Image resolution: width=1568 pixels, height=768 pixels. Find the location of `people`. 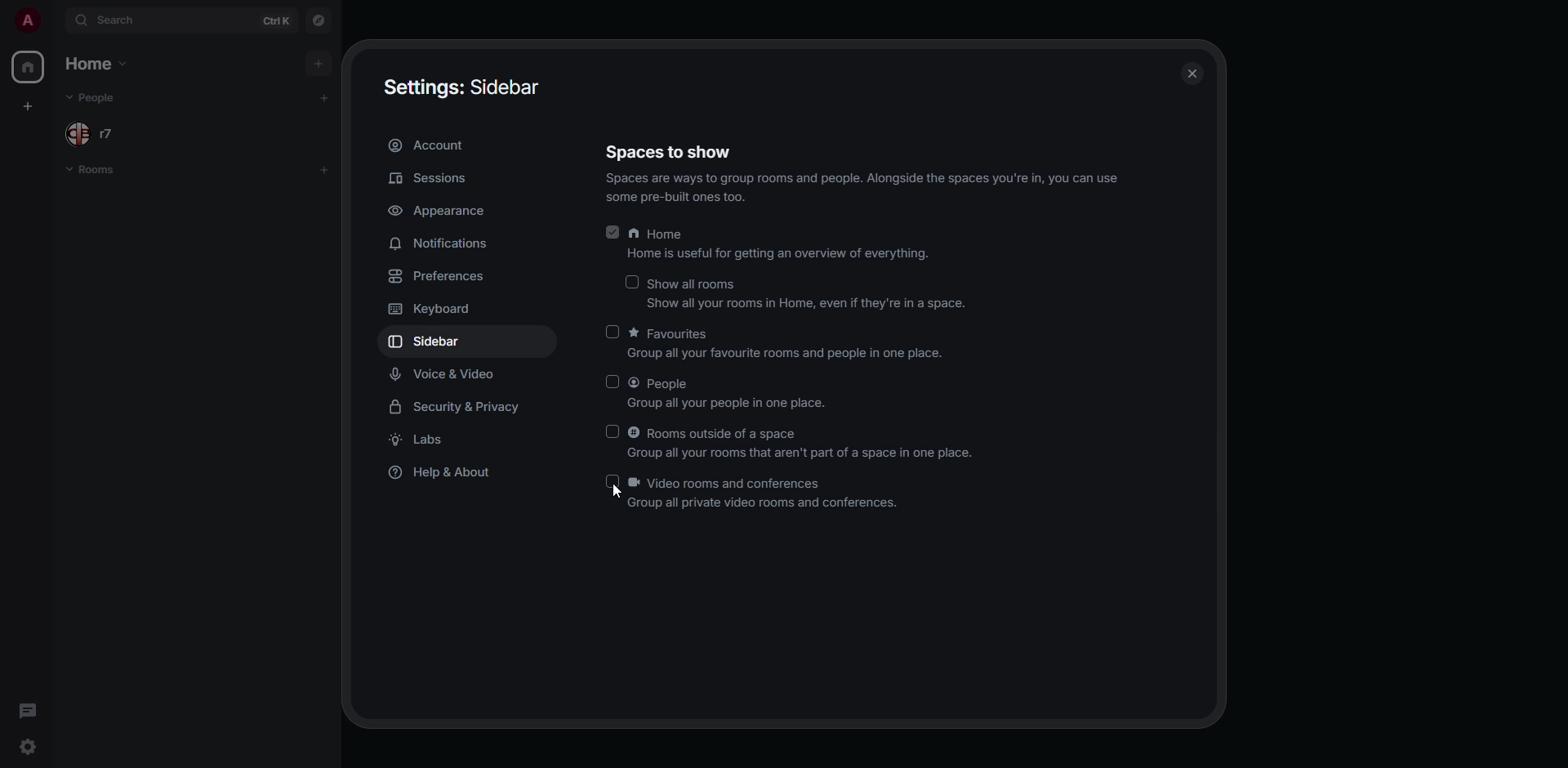

people is located at coordinates (95, 97).